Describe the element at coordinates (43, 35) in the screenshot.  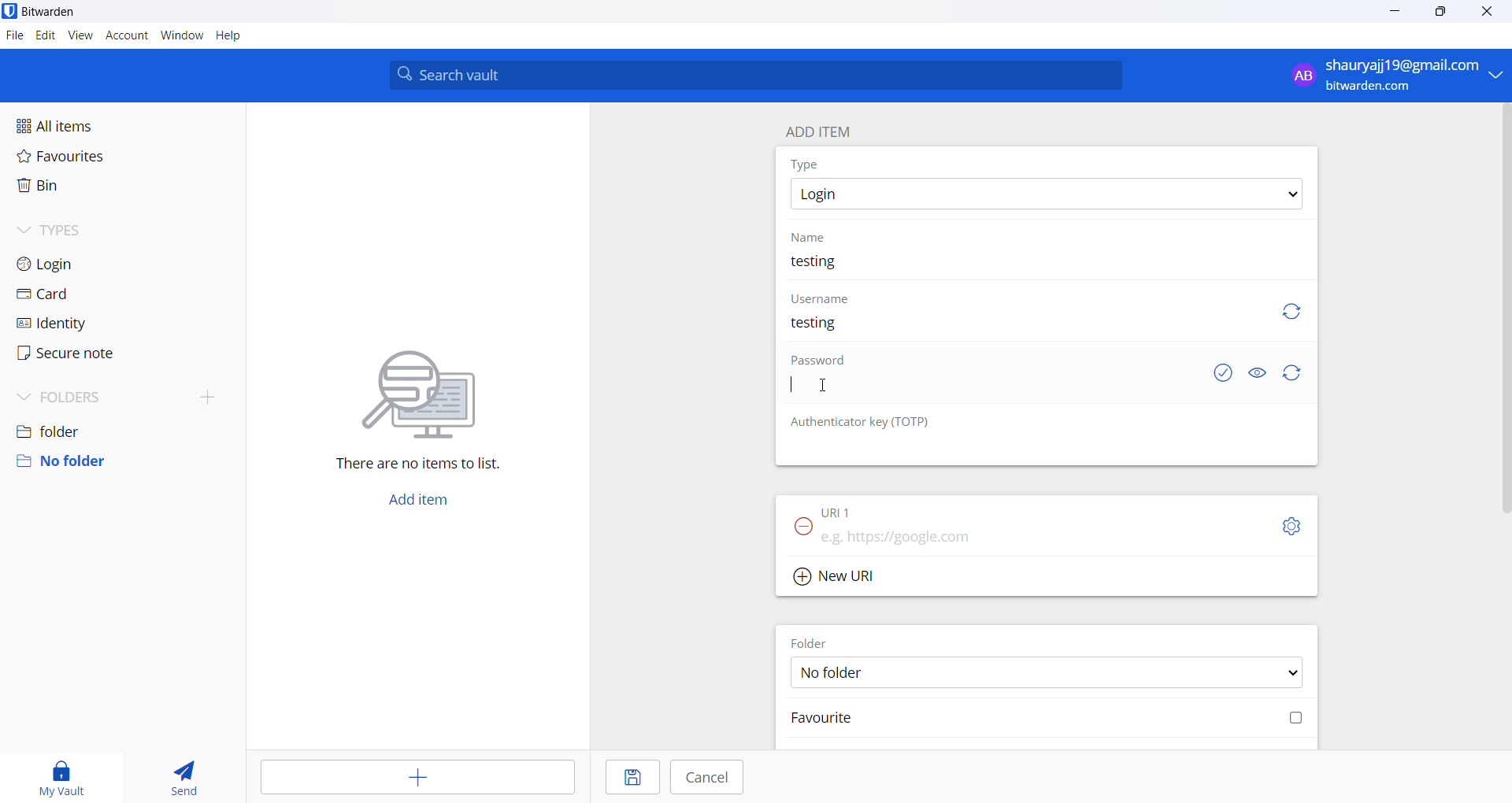
I see `edit` at that location.